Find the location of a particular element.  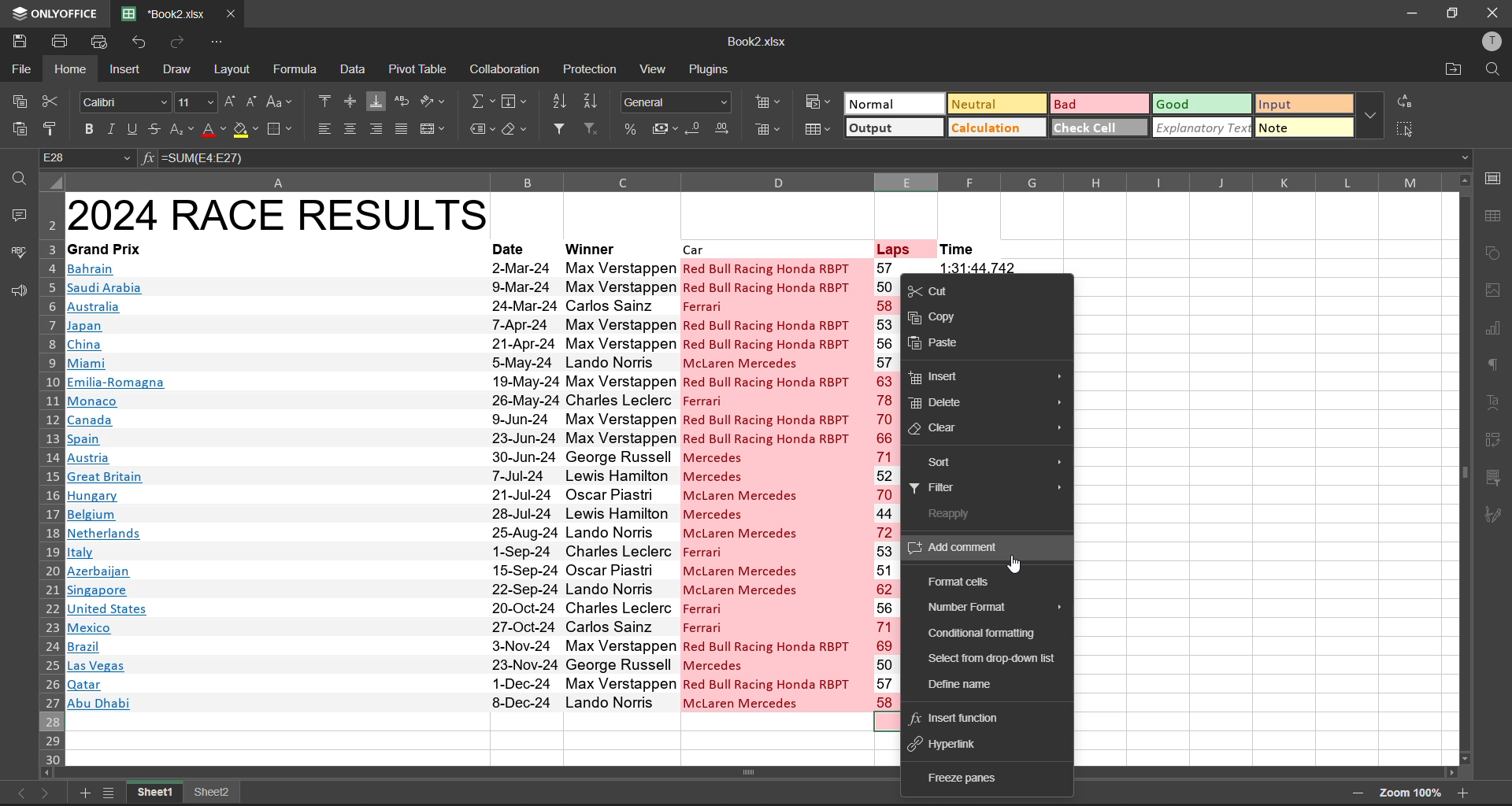

clear is located at coordinates (513, 128).